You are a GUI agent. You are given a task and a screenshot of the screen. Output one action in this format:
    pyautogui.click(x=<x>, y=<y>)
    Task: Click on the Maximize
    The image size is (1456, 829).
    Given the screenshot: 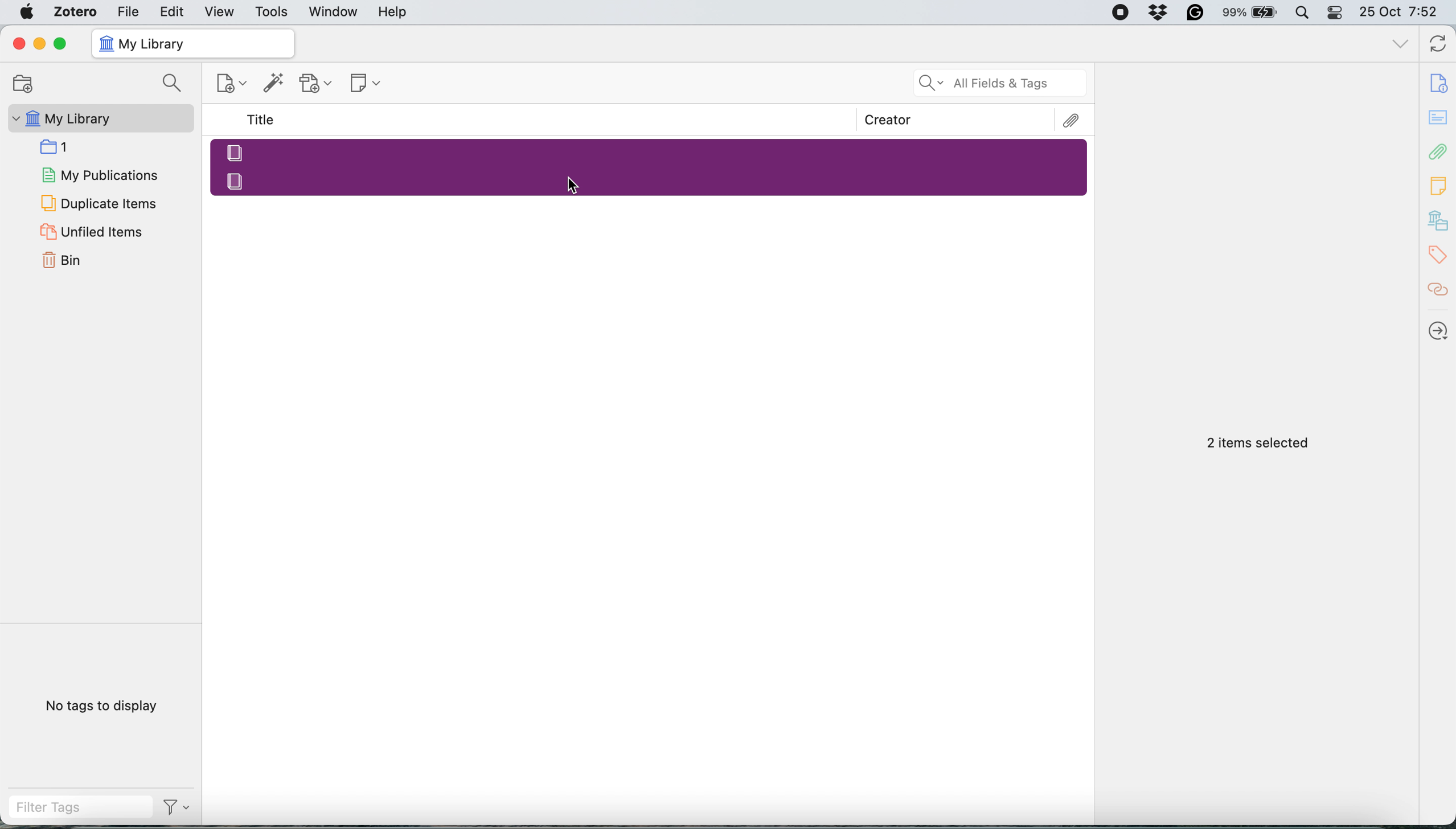 What is the action you would take?
    pyautogui.click(x=60, y=44)
    